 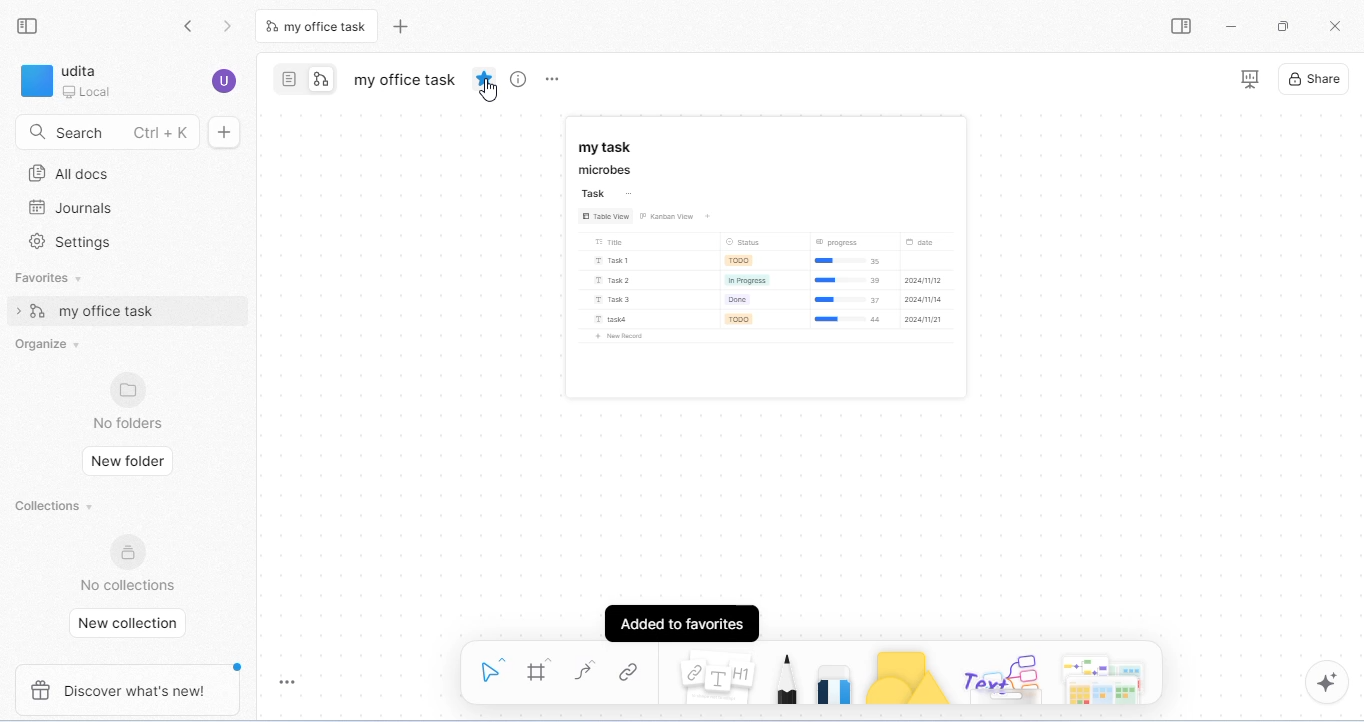 I want to click on no collections, so click(x=126, y=563).